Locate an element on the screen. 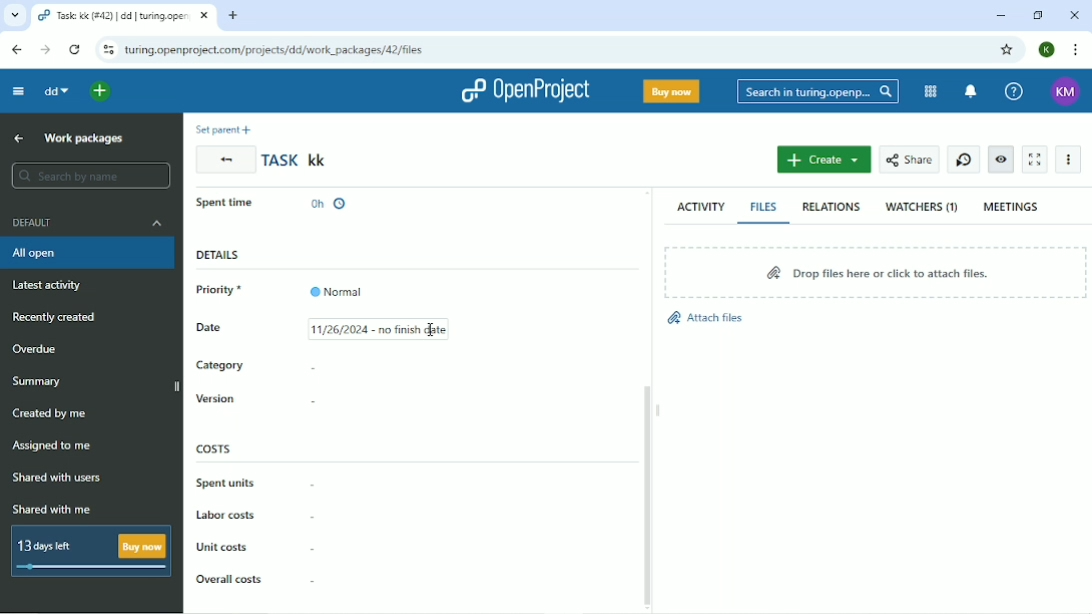 Image resolution: width=1092 pixels, height=614 pixels. FILES is located at coordinates (764, 207).